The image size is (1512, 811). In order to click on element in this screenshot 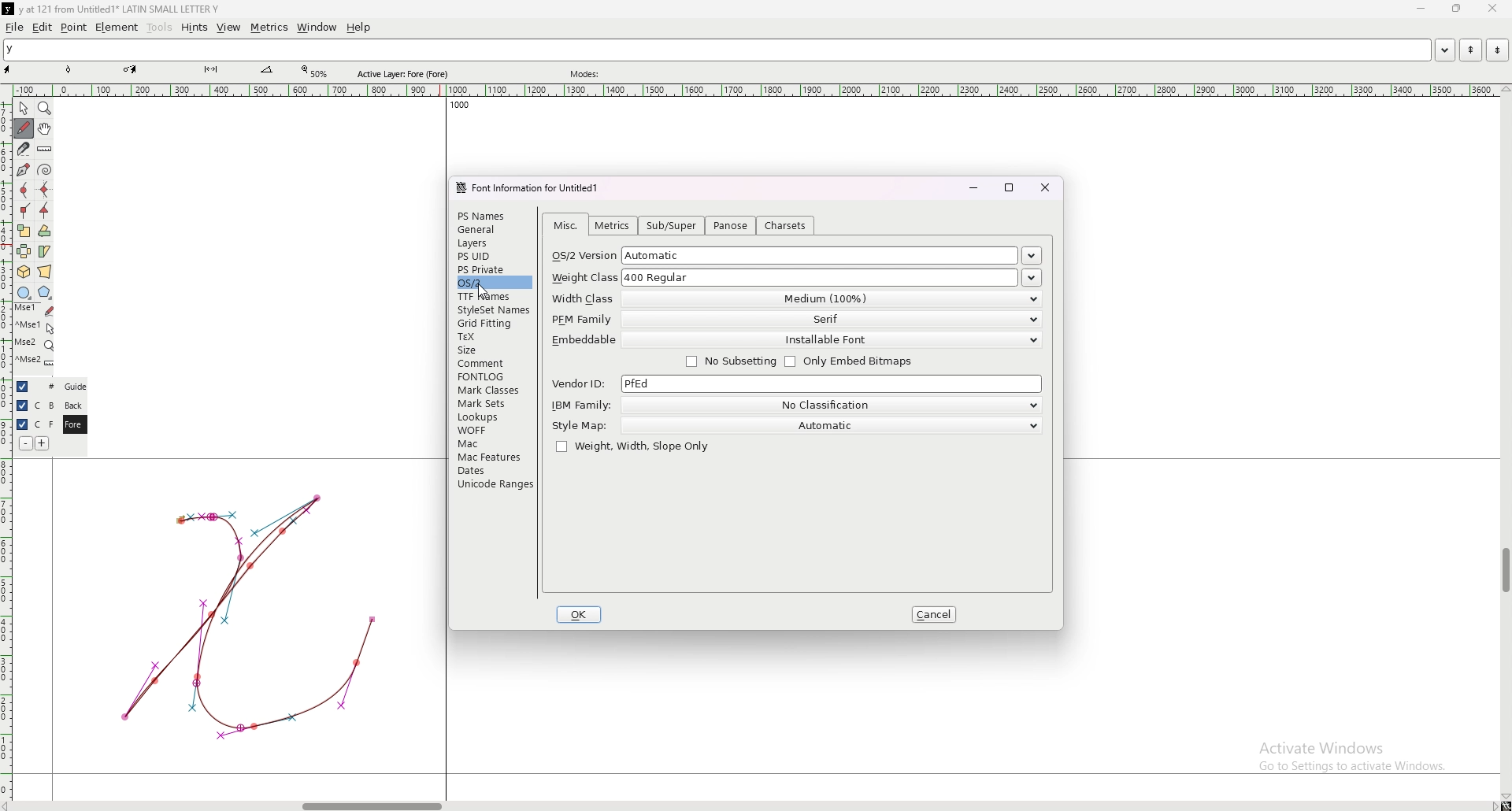, I will do `click(117, 27)`.